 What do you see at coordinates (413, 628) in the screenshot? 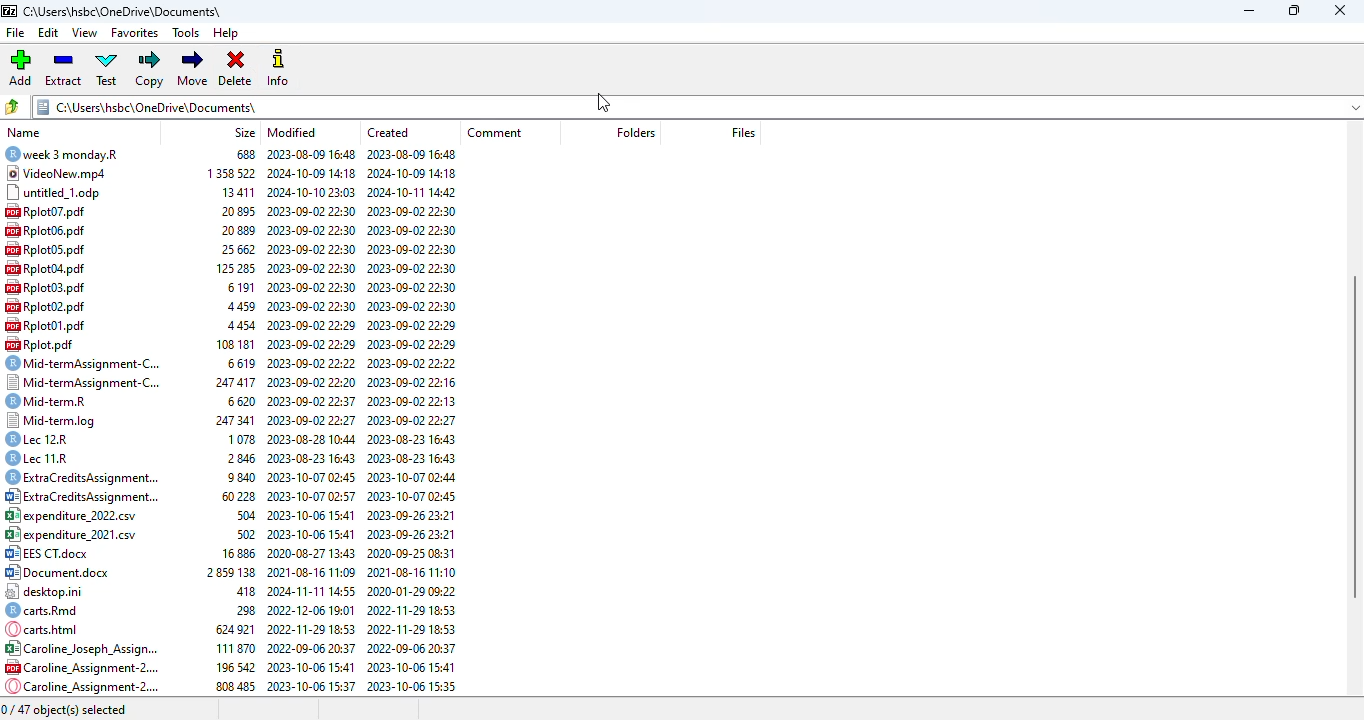
I see `2022-11-29 18:53` at bounding box center [413, 628].